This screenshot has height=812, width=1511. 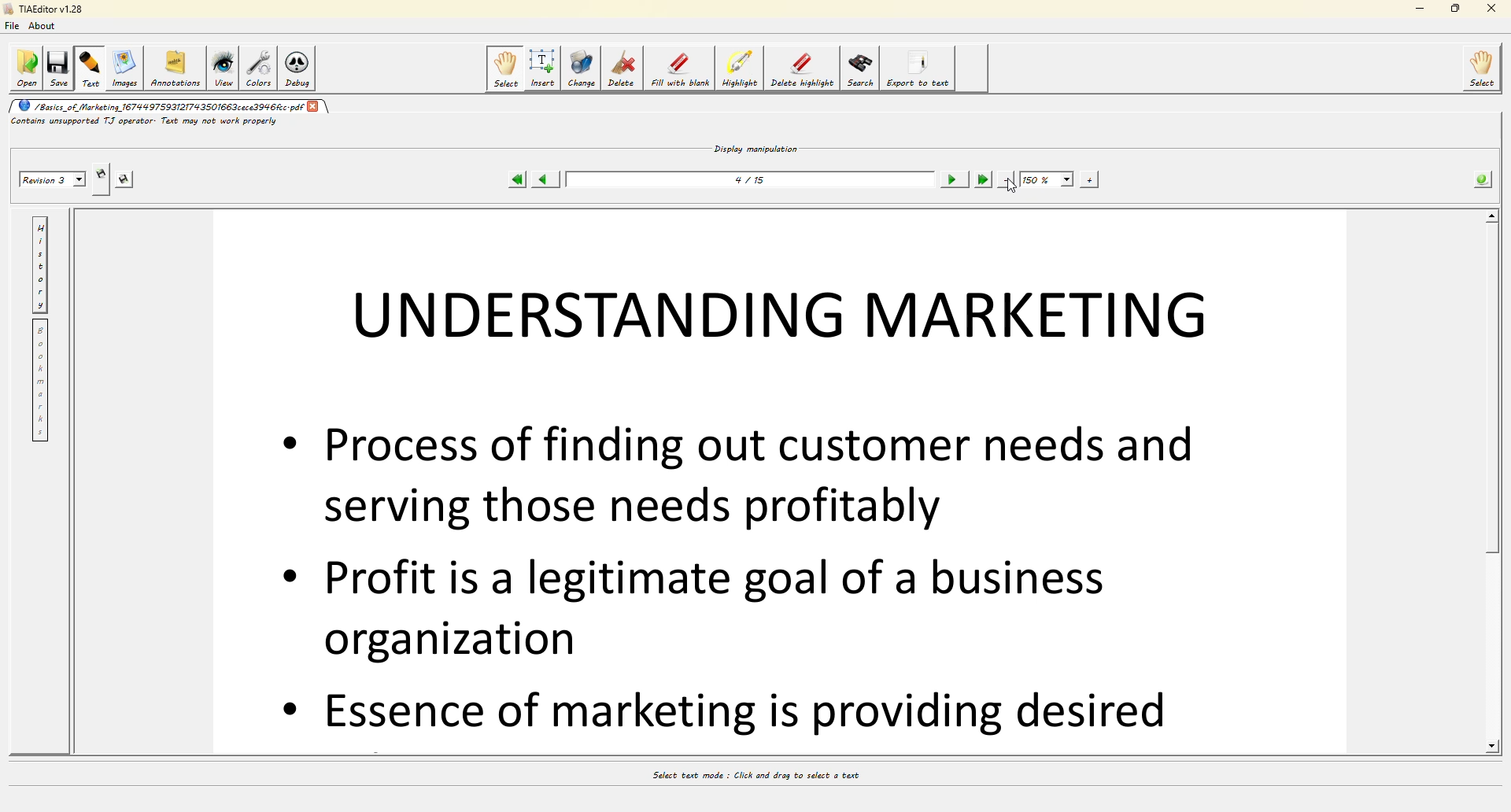 I want to click on pdf, so click(x=159, y=106).